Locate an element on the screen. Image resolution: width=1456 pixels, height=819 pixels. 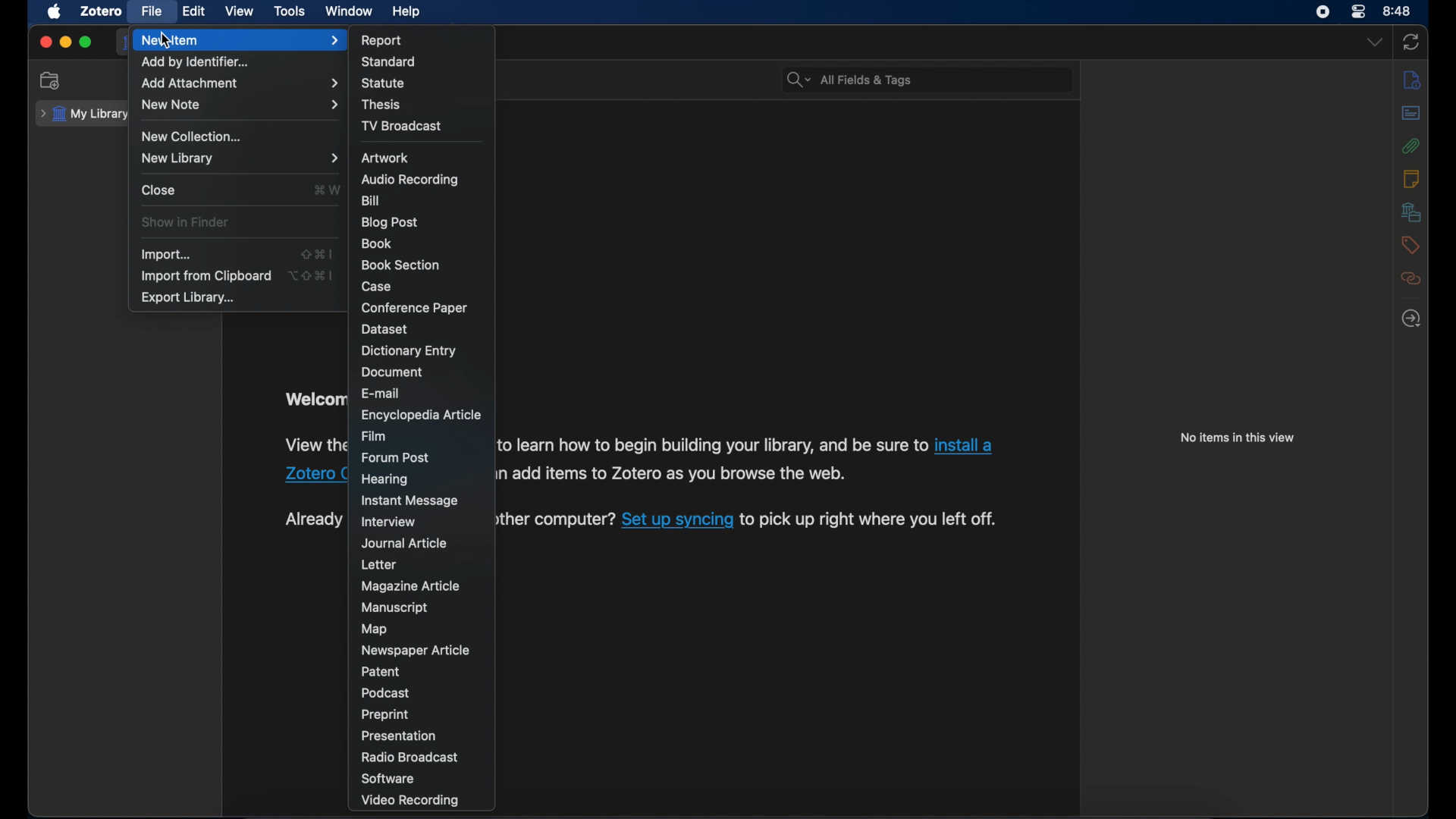
podcast is located at coordinates (386, 693).